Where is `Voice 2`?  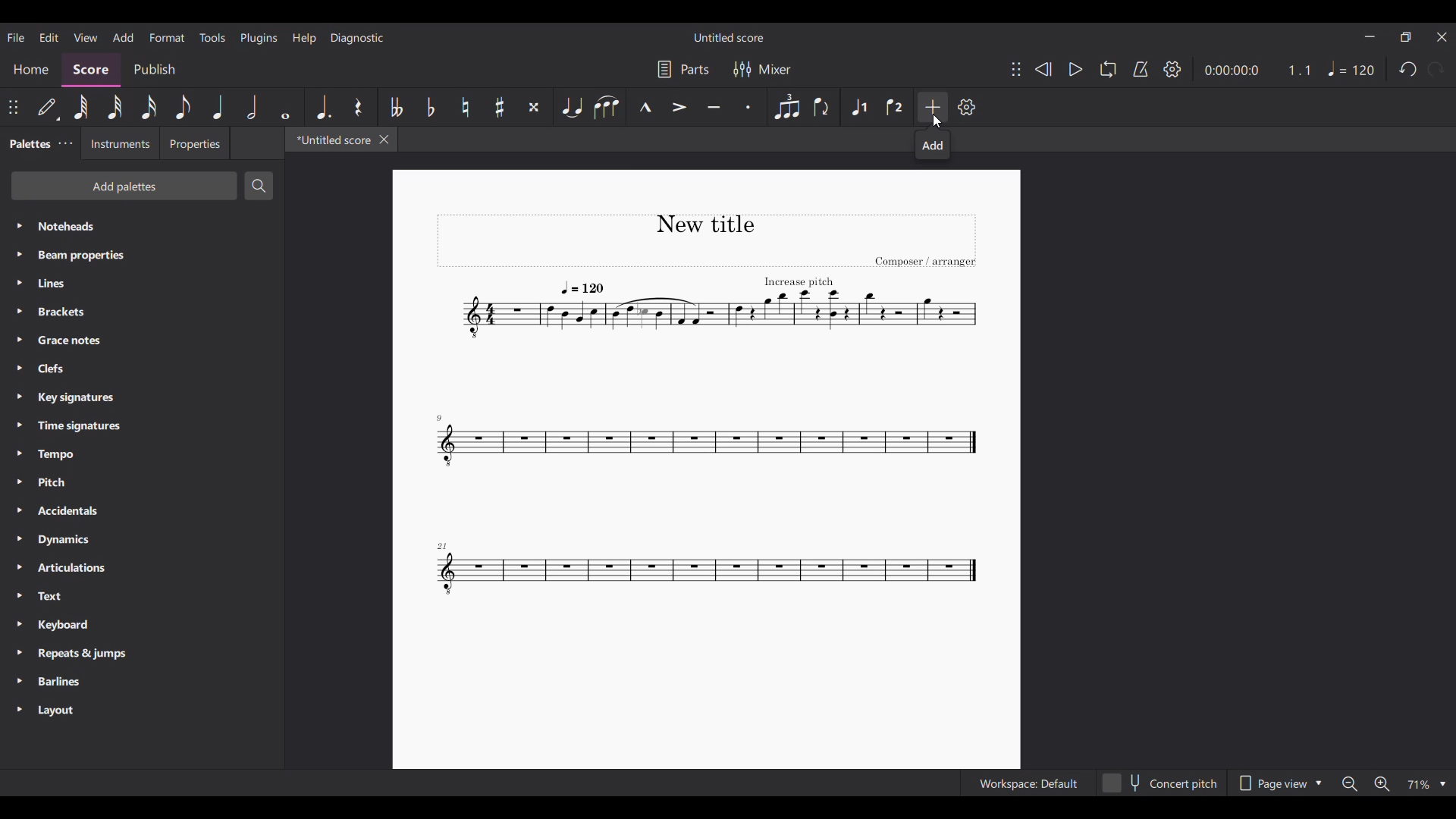 Voice 2 is located at coordinates (896, 107).